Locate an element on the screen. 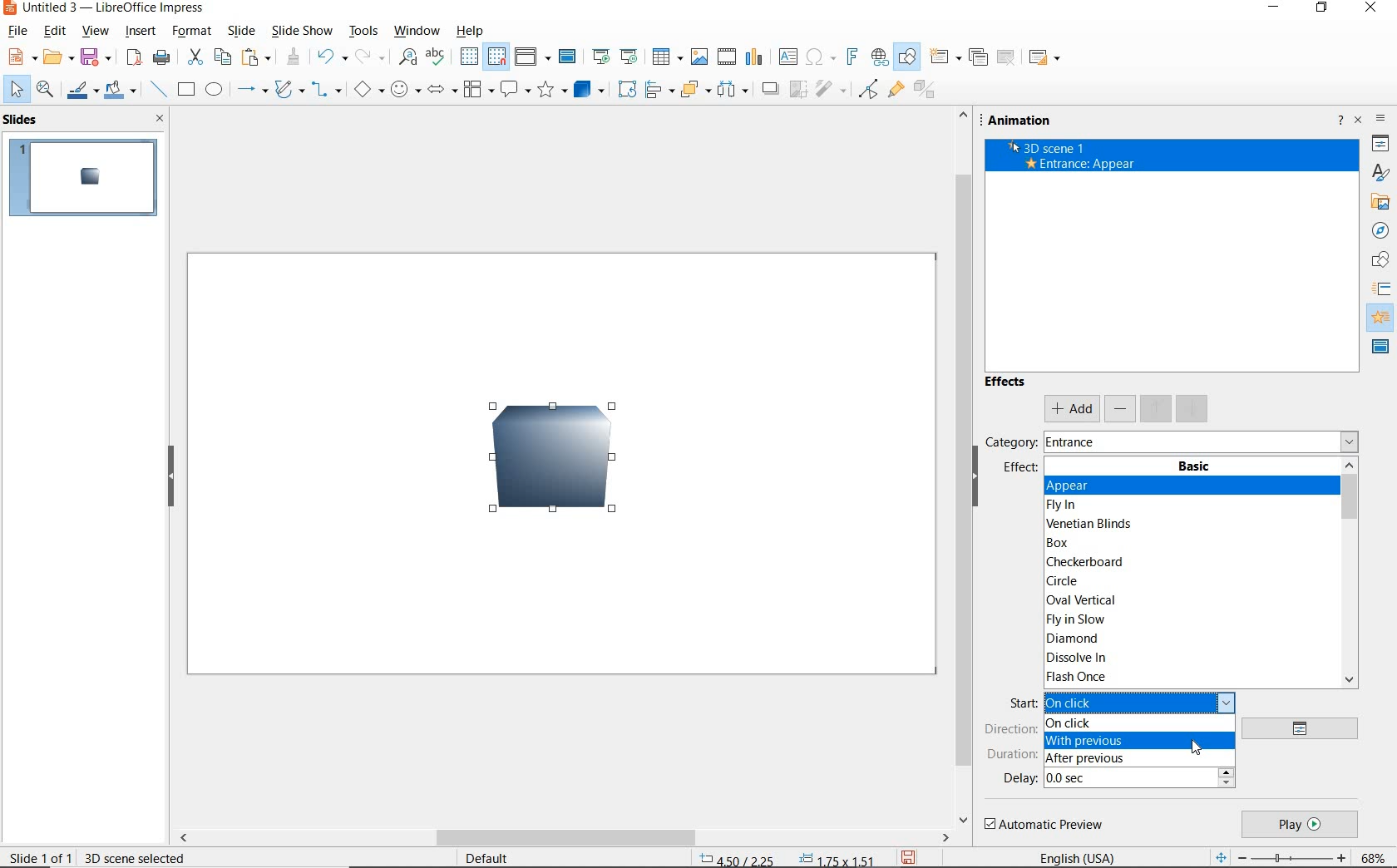  insert table is located at coordinates (667, 57).